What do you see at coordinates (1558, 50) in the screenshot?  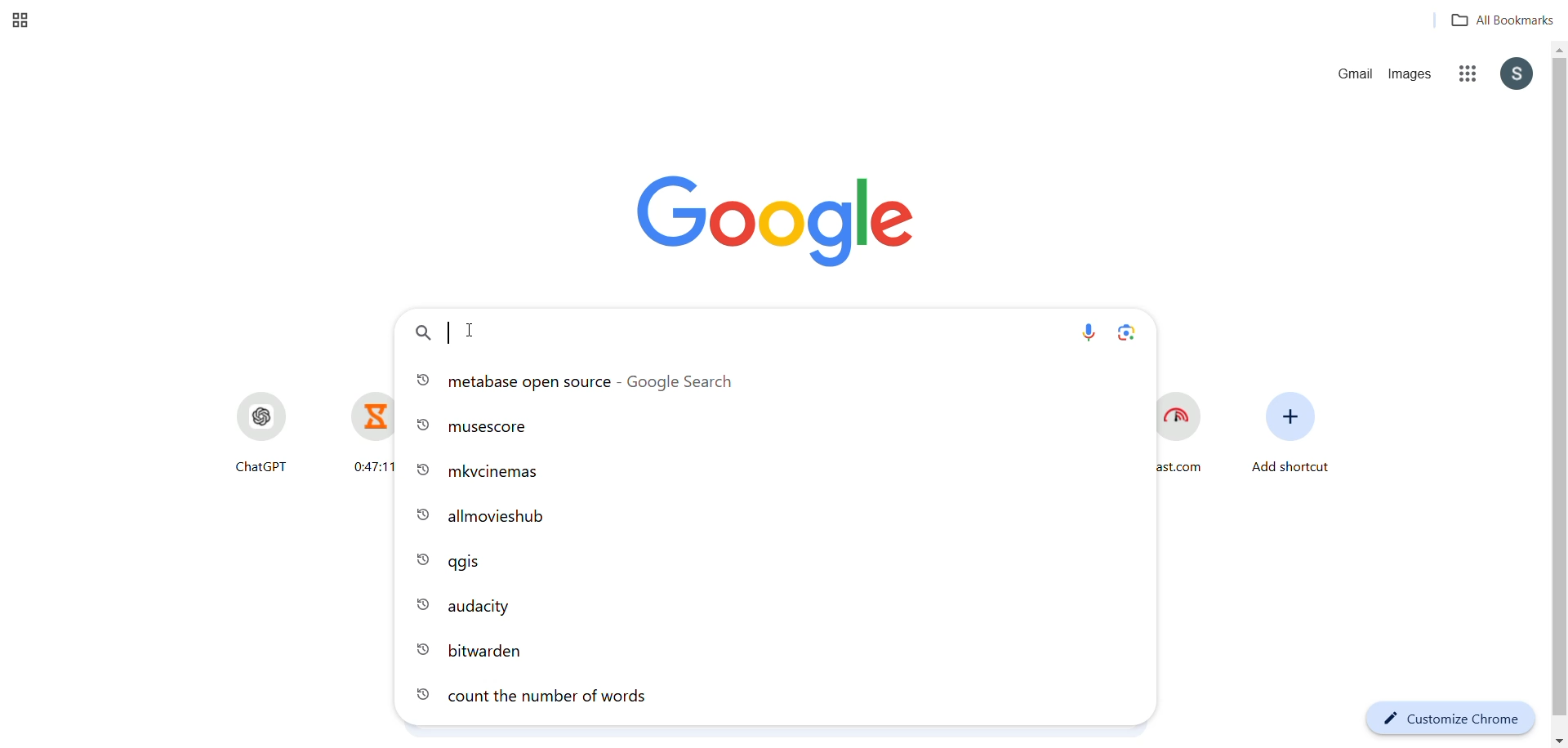 I see `move up` at bounding box center [1558, 50].